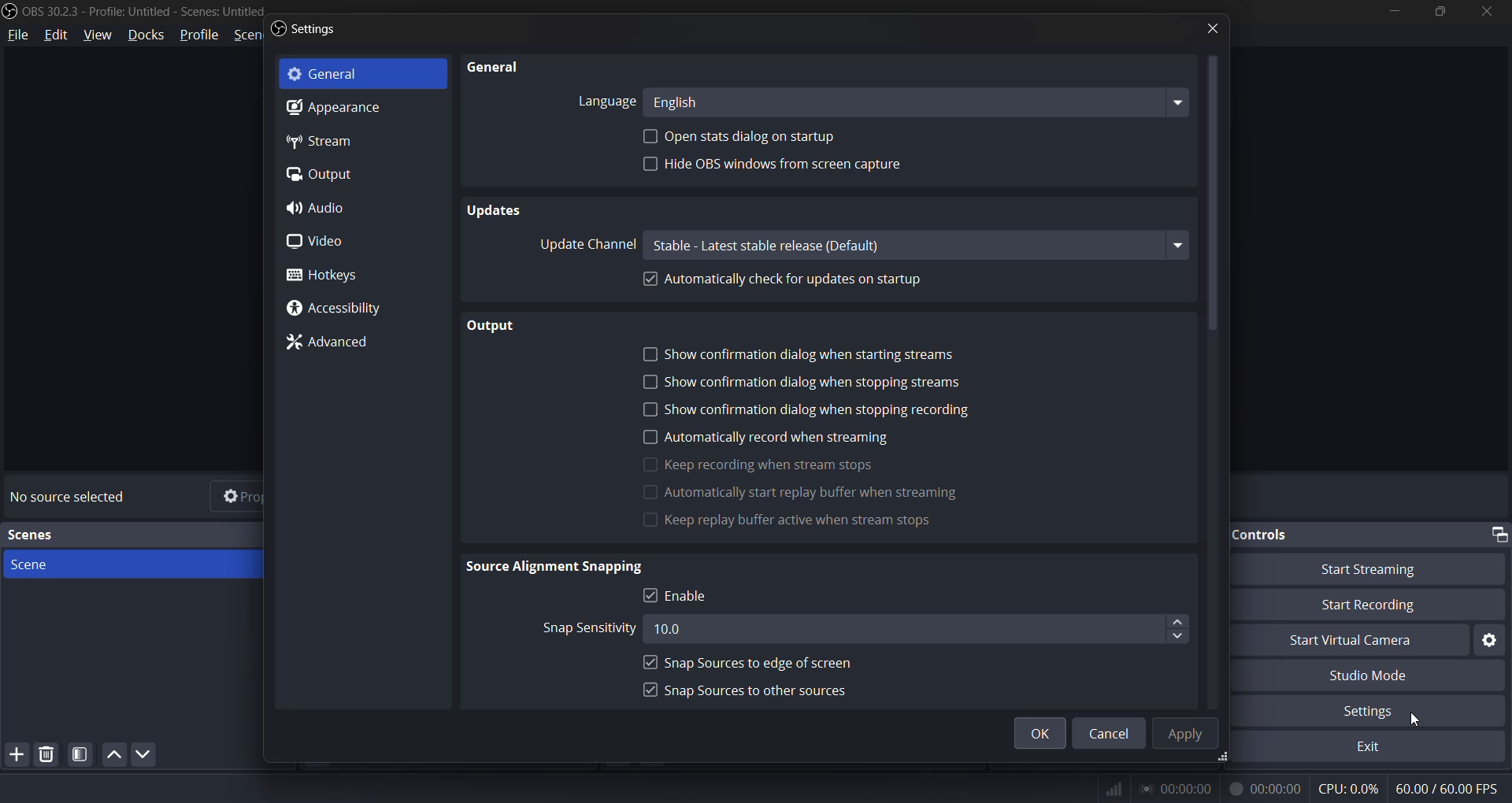  What do you see at coordinates (813, 383) in the screenshot?
I see `show confirmation dialog when stopping stream` at bounding box center [813, 383].